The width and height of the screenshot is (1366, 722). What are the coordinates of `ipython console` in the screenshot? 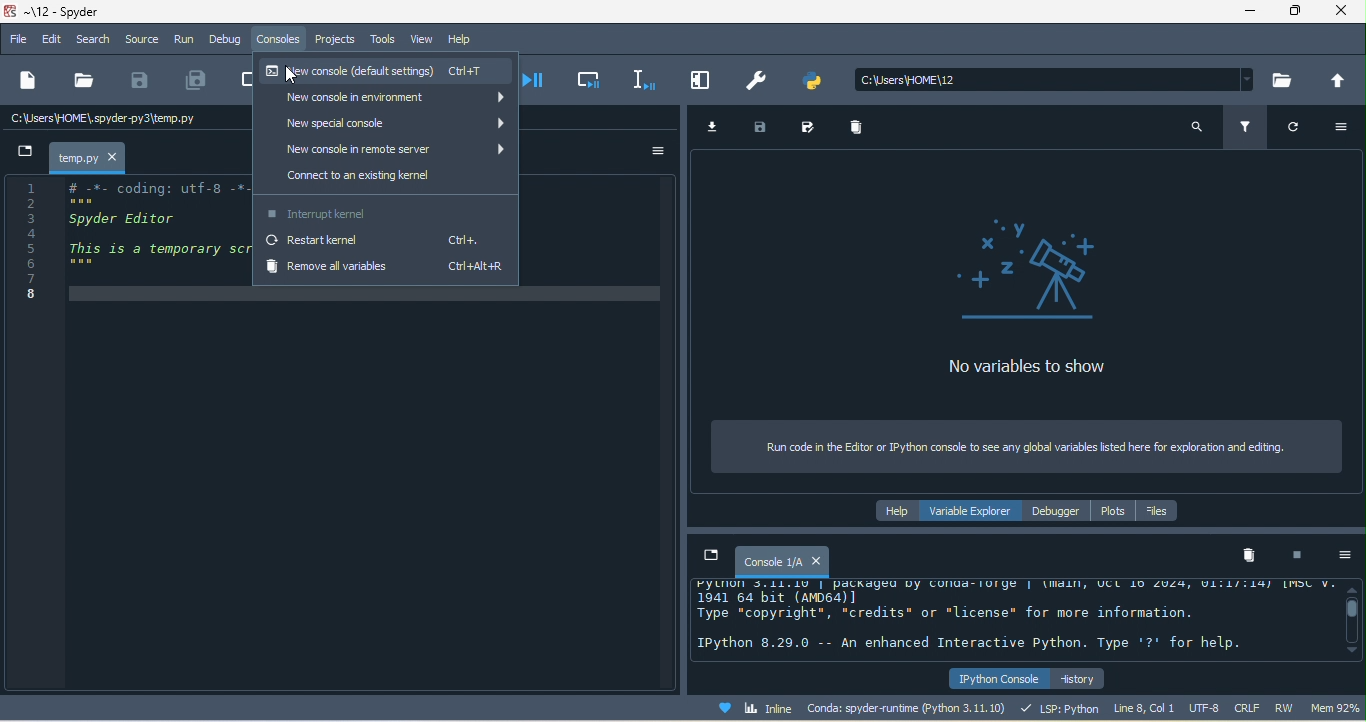 It's located at (996, 676).